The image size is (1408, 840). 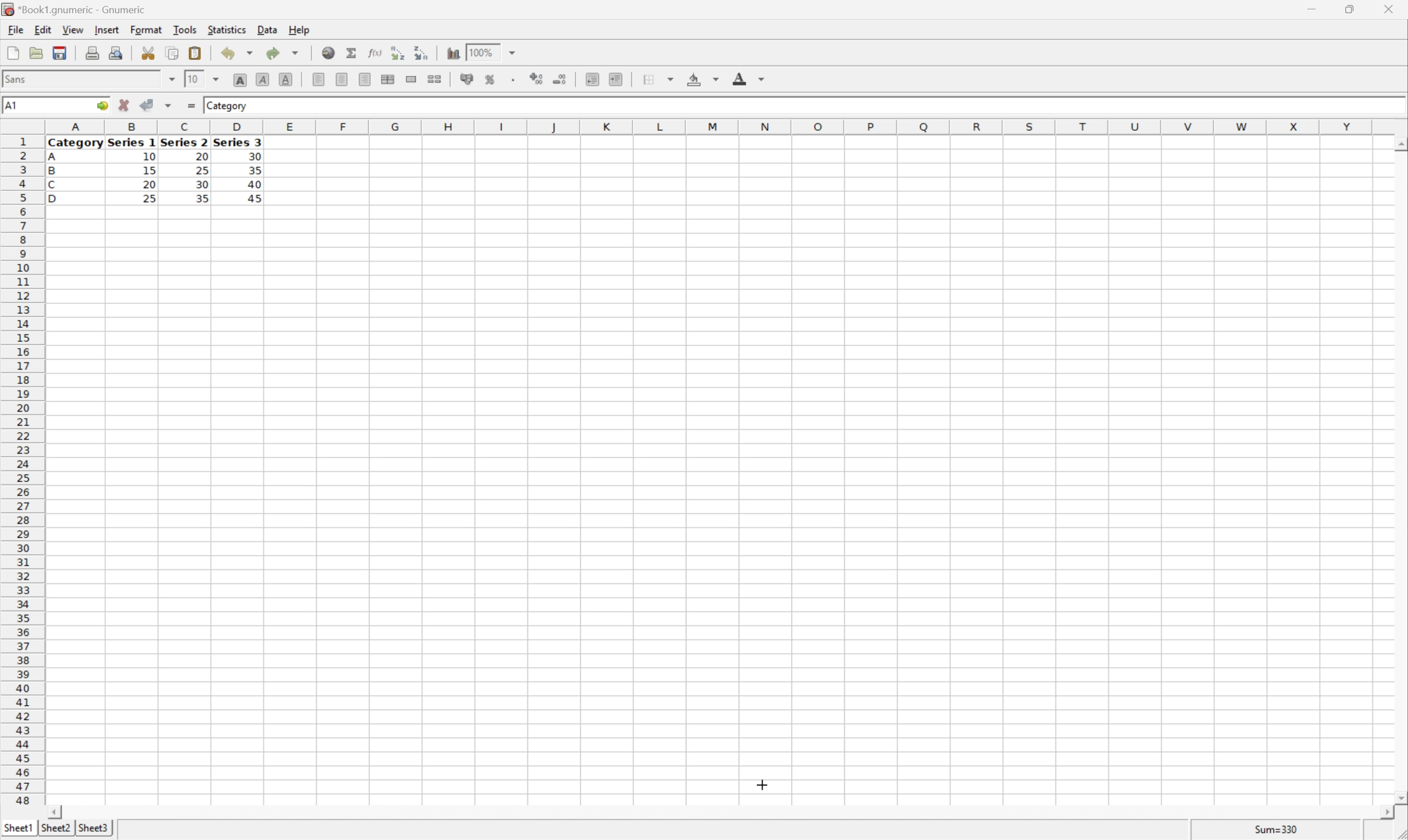 I want to click on Undo, so click(x=238, y=51).